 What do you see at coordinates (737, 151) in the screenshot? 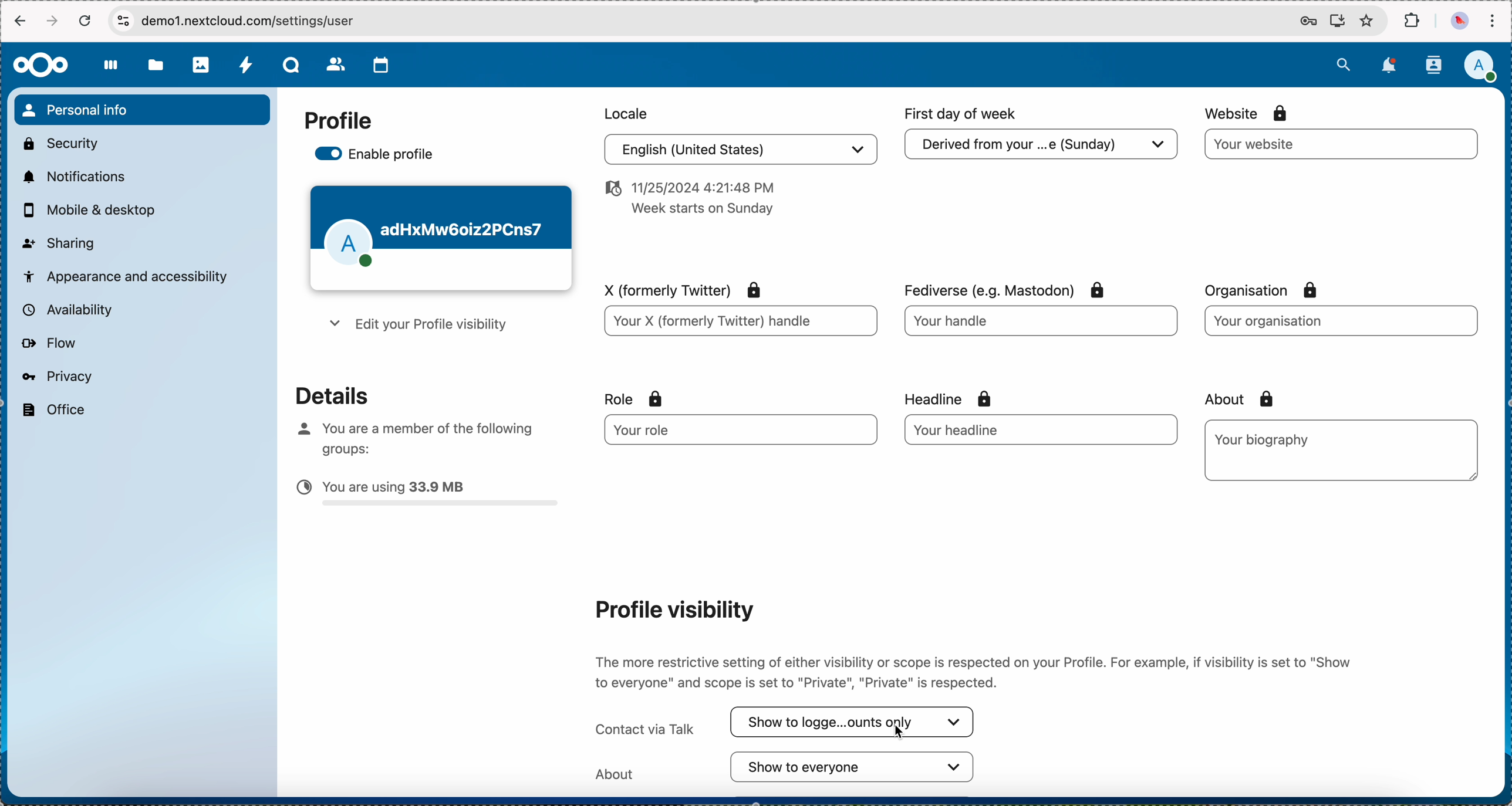
I see `english` at bounding box center [737, 151].